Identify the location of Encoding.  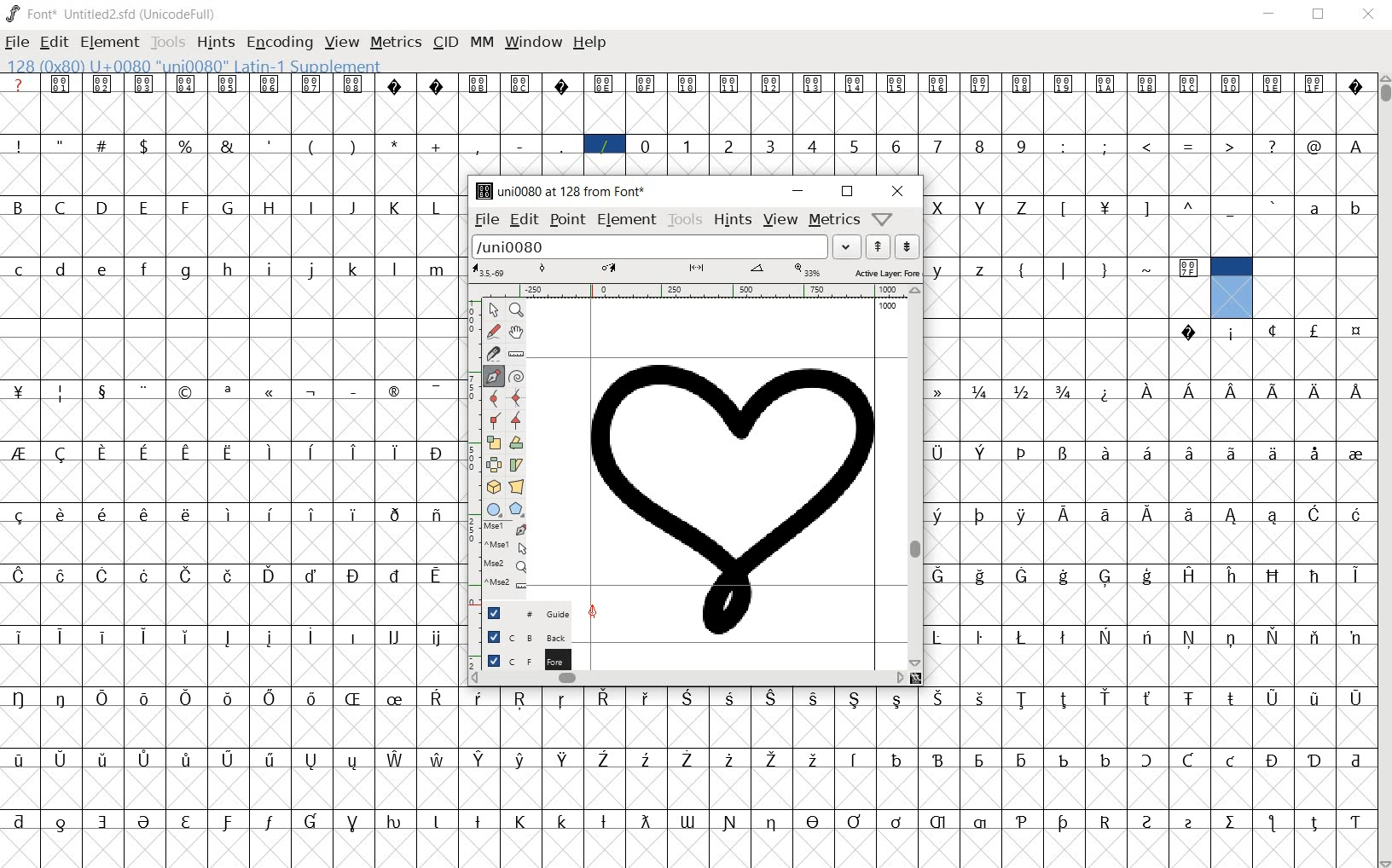
(181, 12).